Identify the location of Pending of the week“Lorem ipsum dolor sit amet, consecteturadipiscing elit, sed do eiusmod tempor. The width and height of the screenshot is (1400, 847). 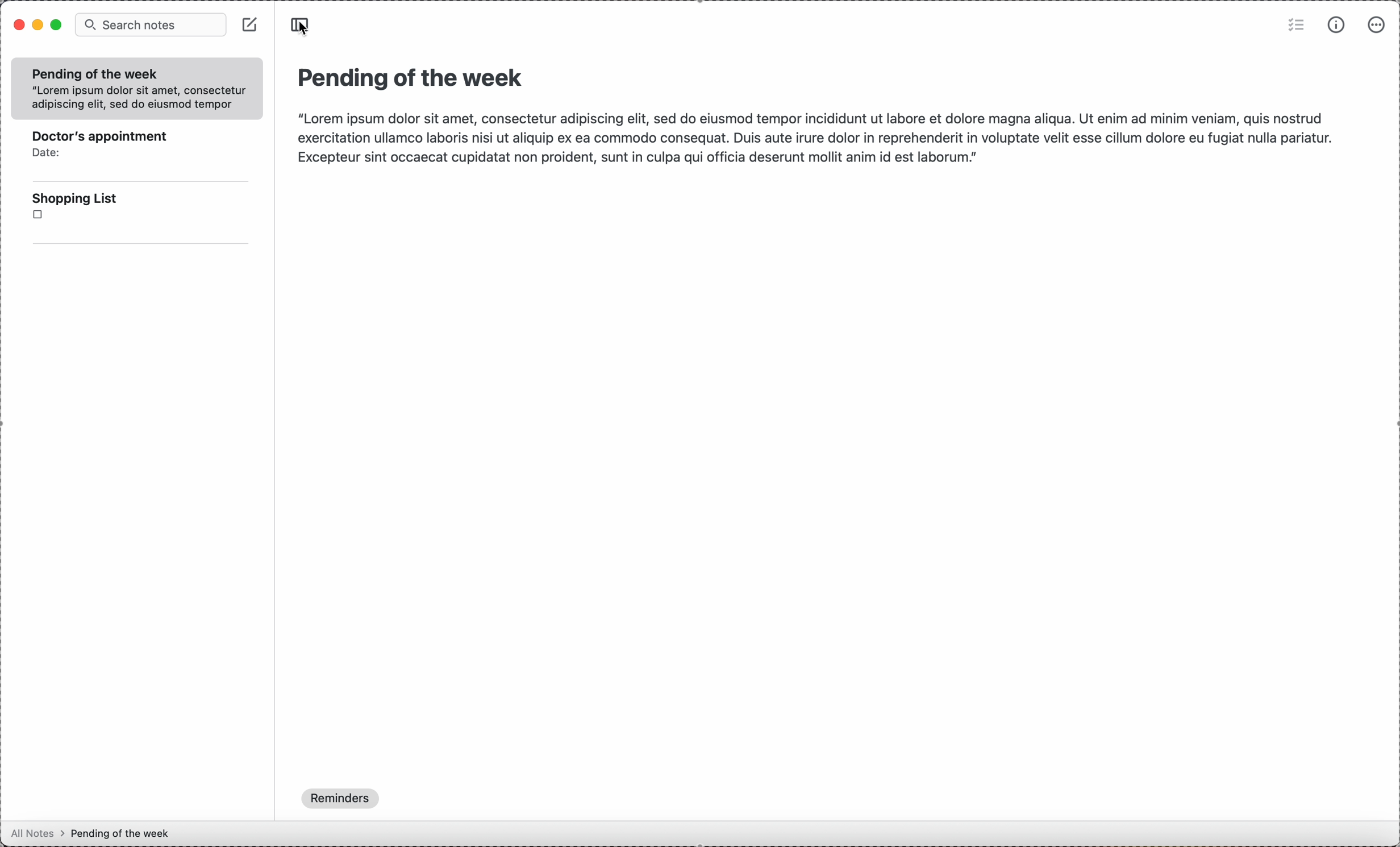
(137, 86).